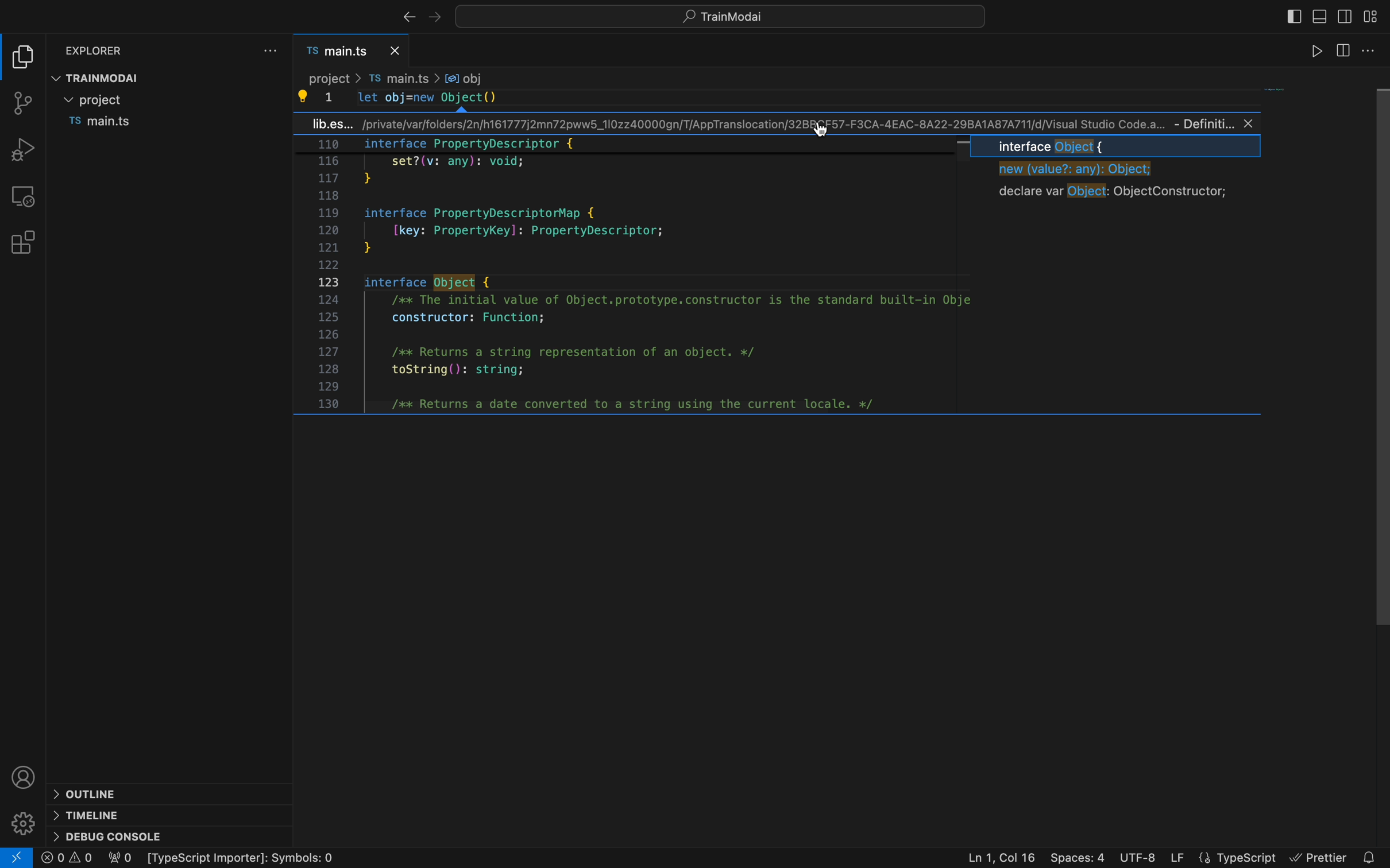 The width and height of the screenshot is (1390, 868). What do you see at coordinates (398, 77) in the screenshot?
I see `Breadcrumb` at bounding box center [398, 77].